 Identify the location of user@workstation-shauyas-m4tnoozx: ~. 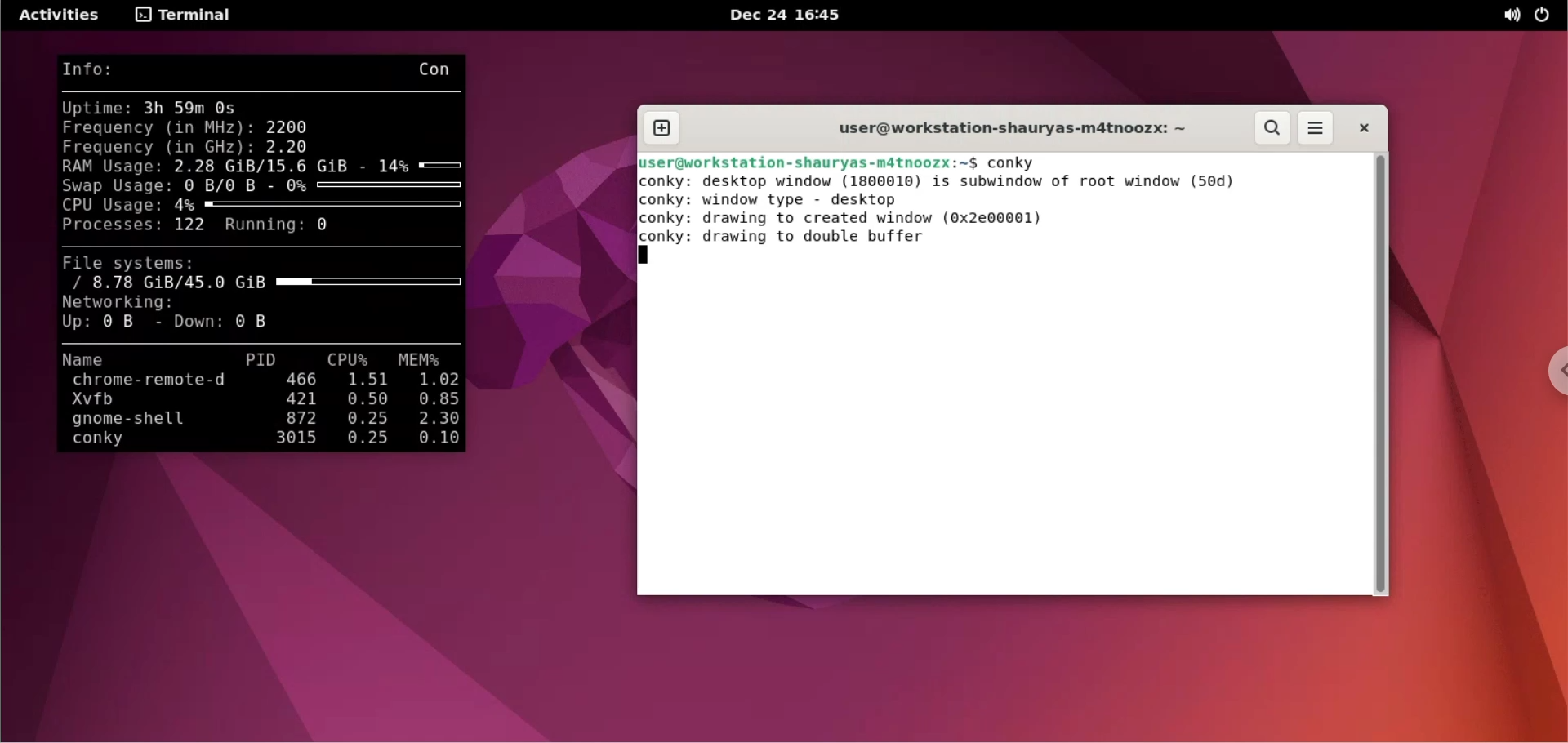
(1000, 127).